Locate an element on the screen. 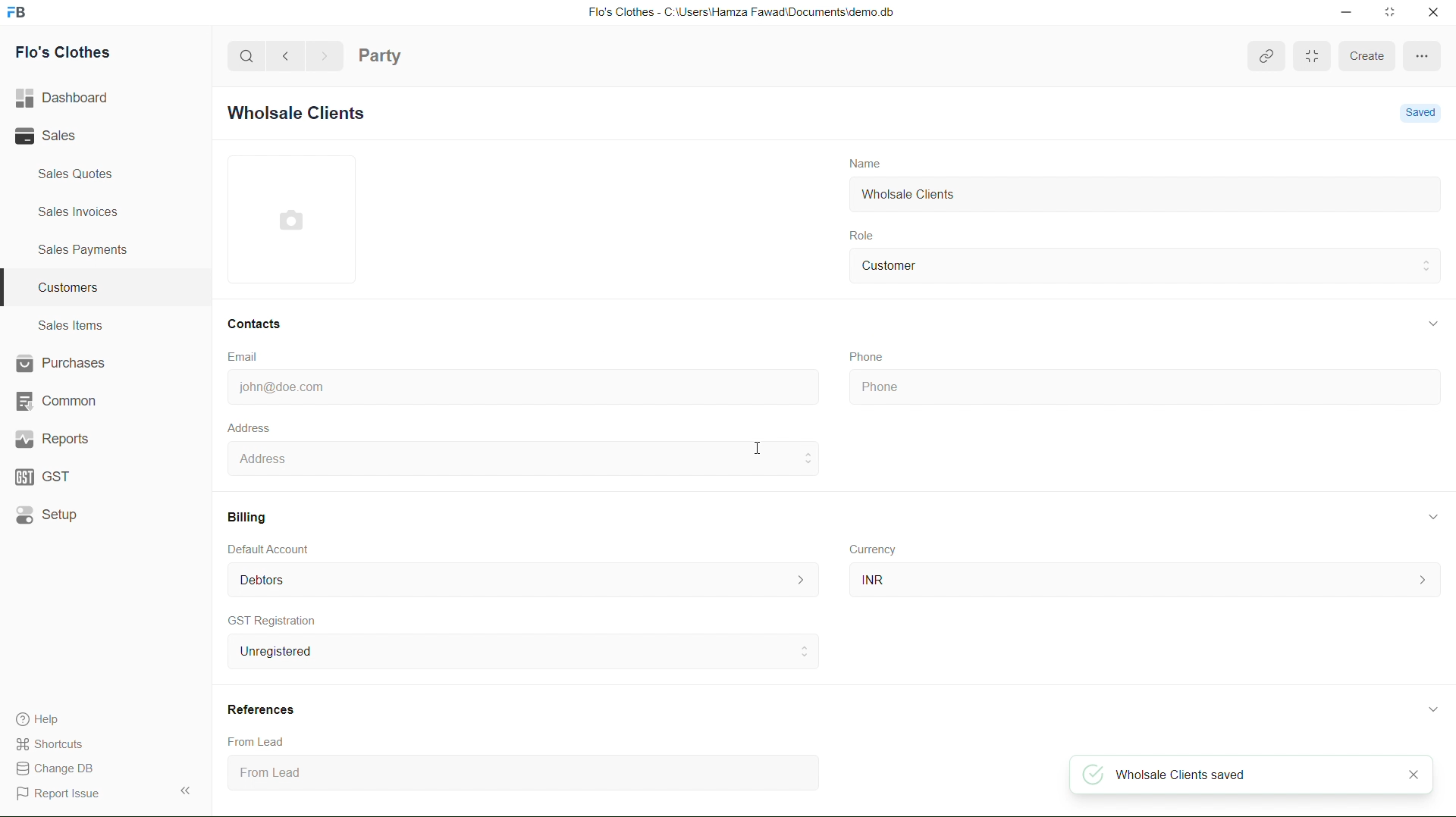 Image resolution: width=1456 pixels, height=817 pixels. Customer is located at coordinates (900, 265).